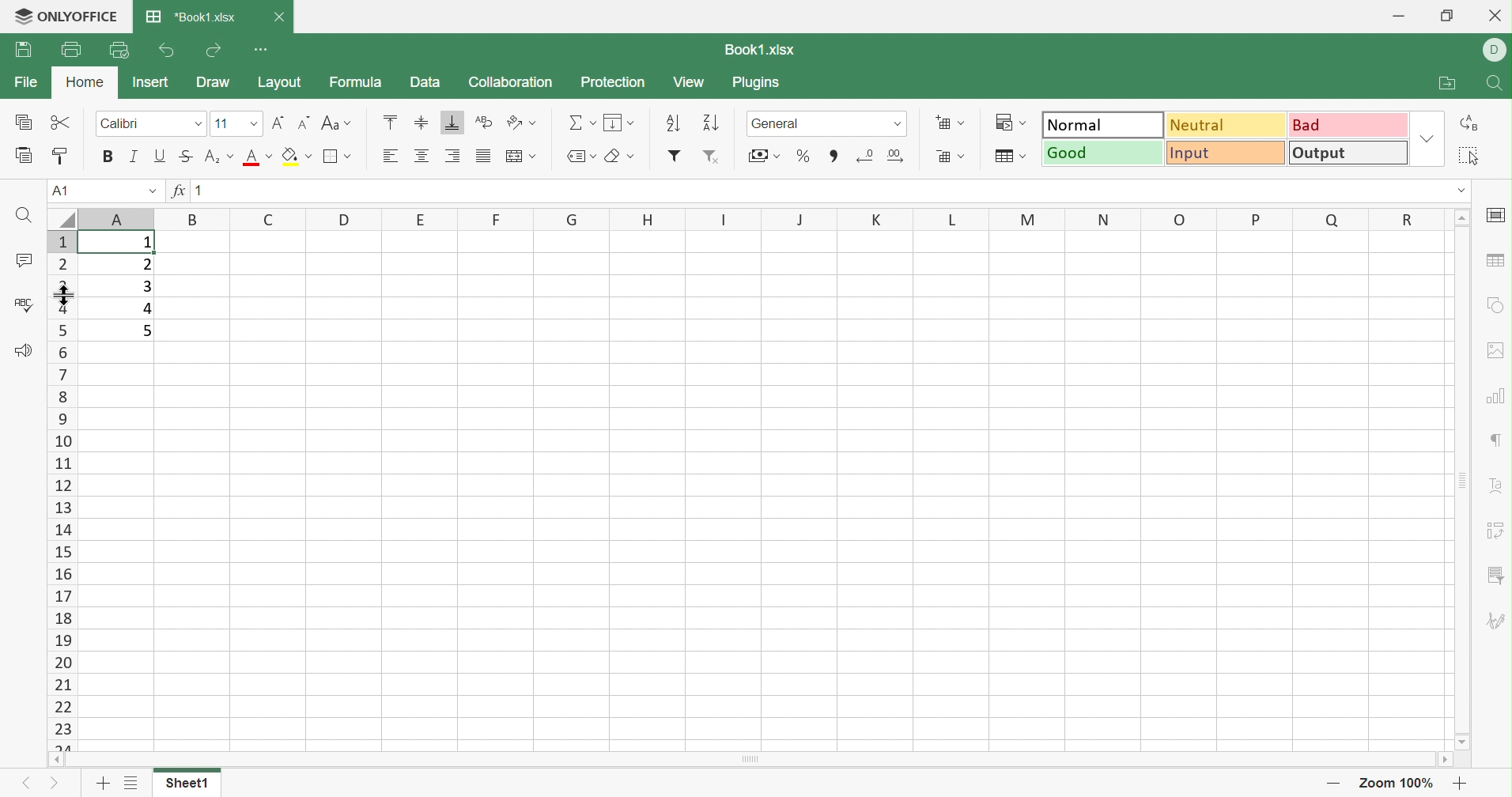  What do you see at coordinates (804, 156) in the screenshot?
I see `Percentage style` at bounding box center [804, 156].